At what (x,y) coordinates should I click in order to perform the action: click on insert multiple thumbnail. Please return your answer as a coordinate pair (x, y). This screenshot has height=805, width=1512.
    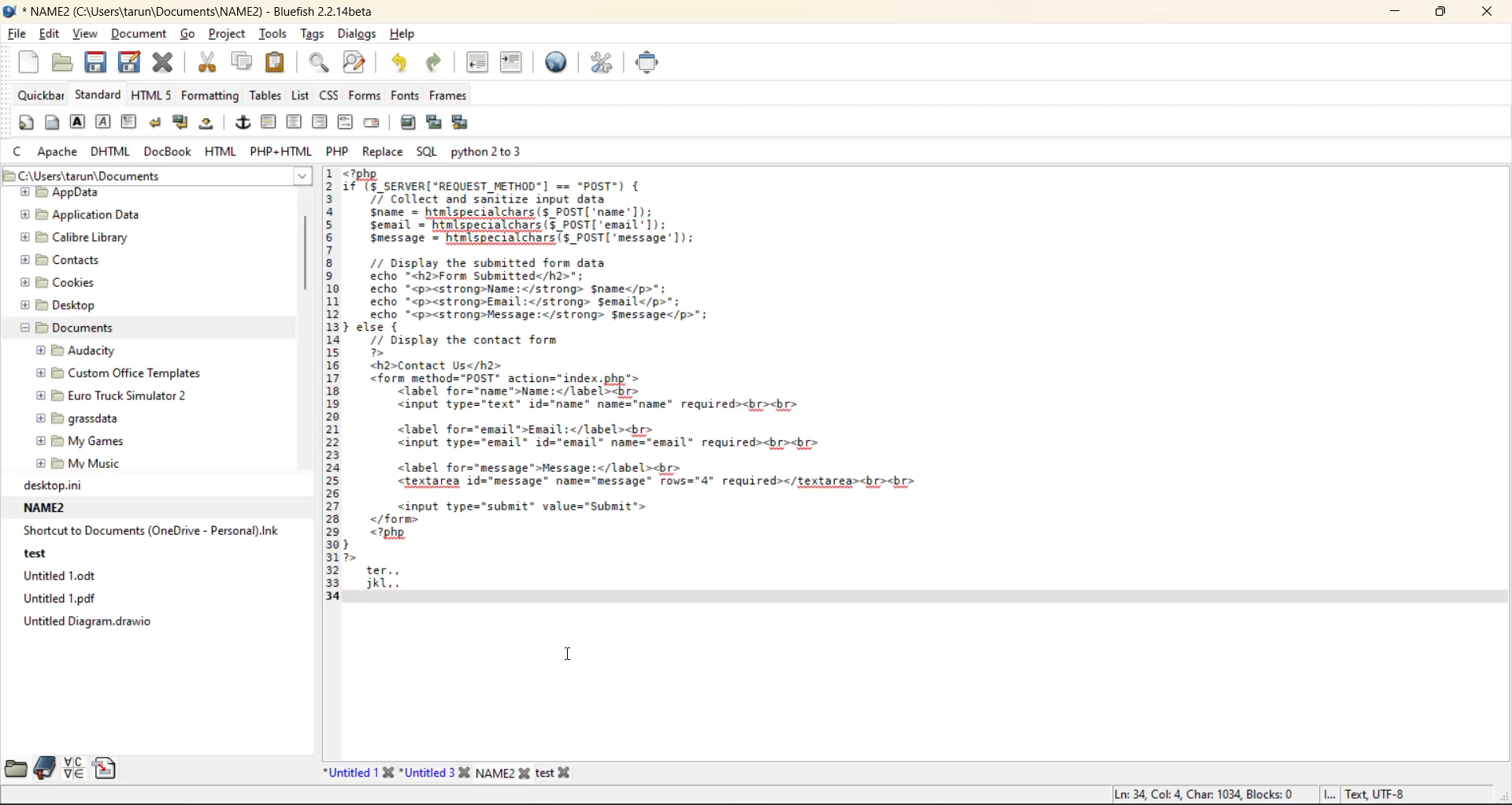
    Looking at the image, I should click on (462, 124).